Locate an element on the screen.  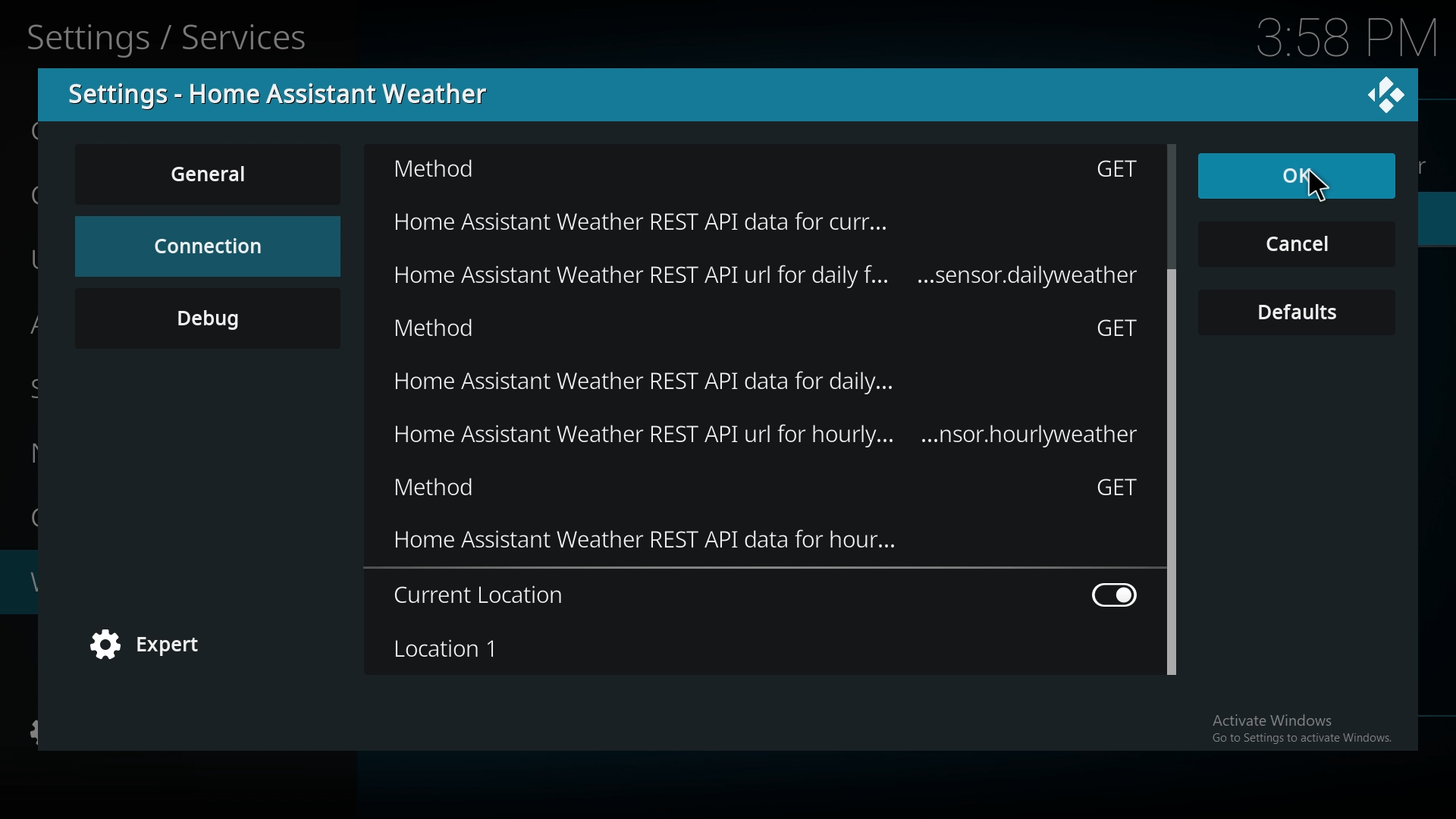
Settings/Services is located at coordinates (171, 35).